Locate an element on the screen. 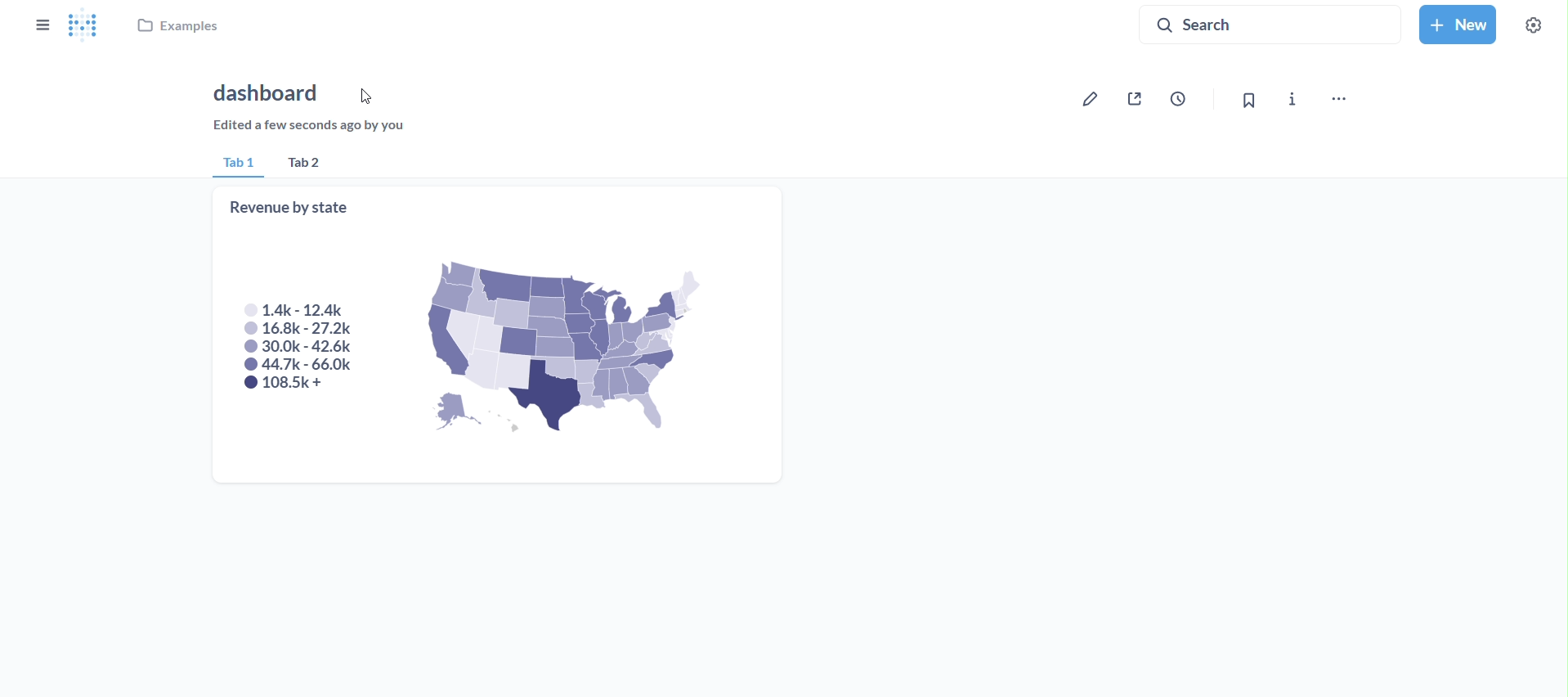  close sidebar is located at coordinates (41, 25).